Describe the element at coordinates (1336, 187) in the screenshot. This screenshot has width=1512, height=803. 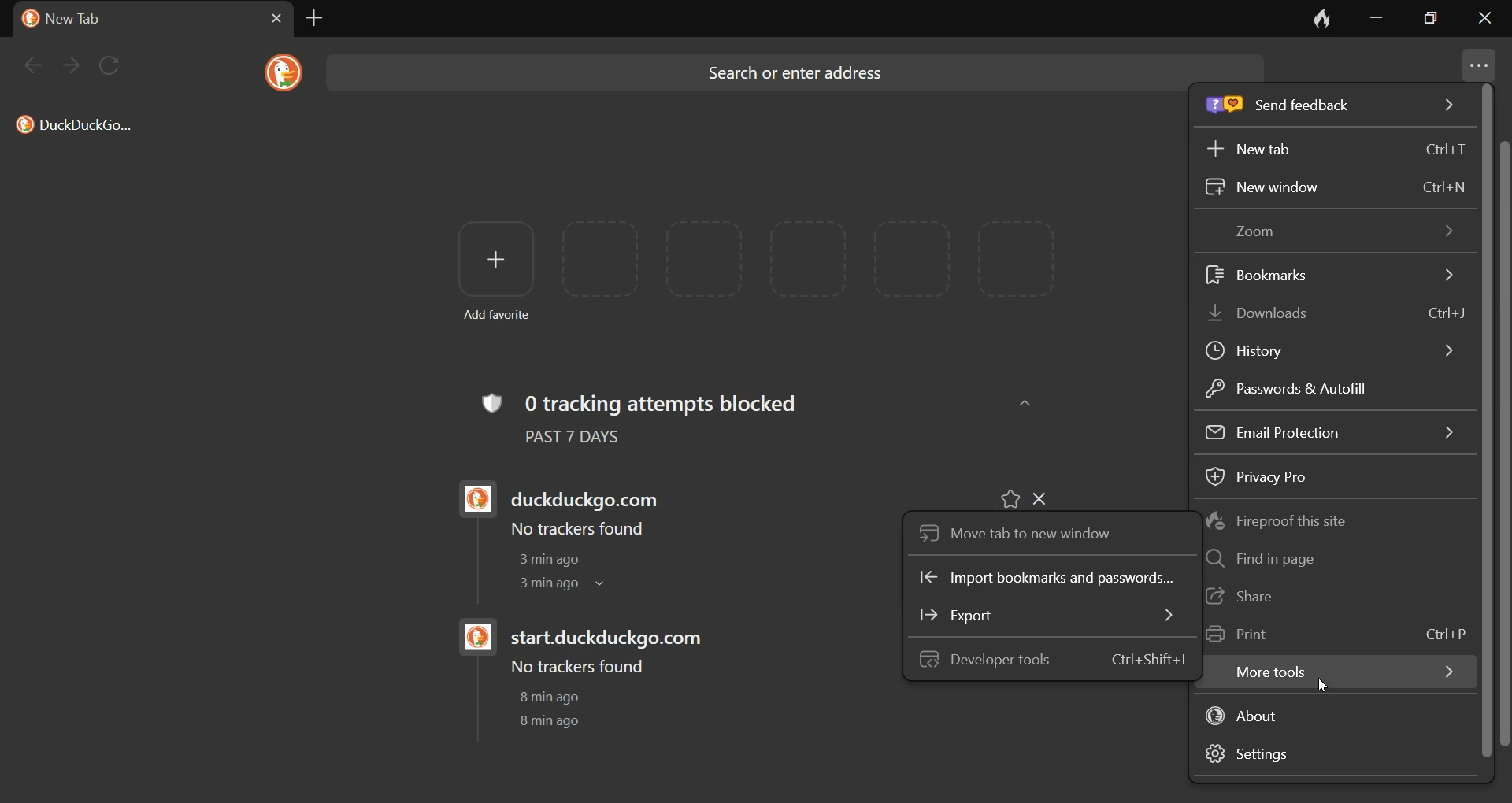
I see `New window` at that location.